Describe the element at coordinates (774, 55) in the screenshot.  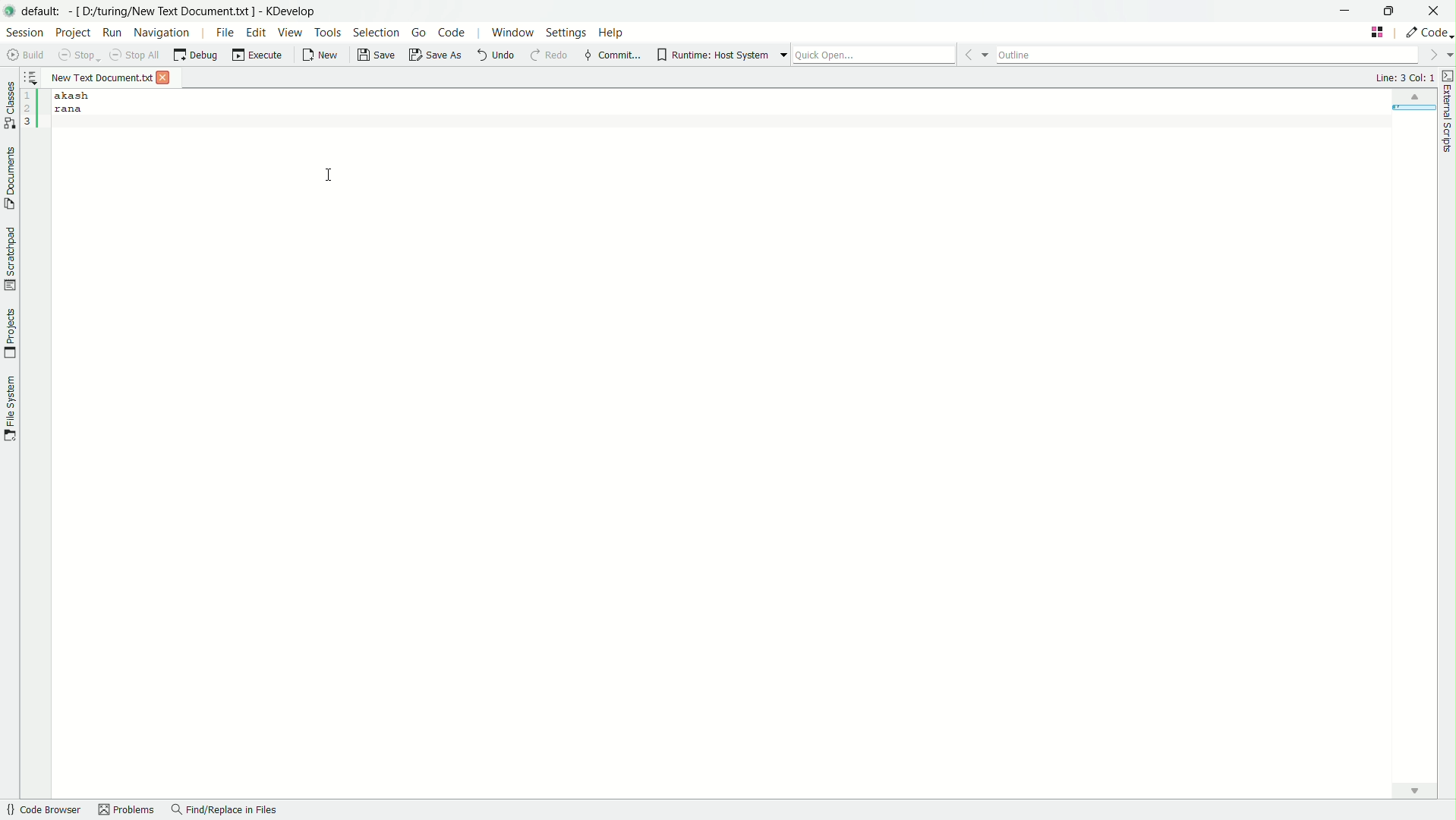
I see `more options` at that location.